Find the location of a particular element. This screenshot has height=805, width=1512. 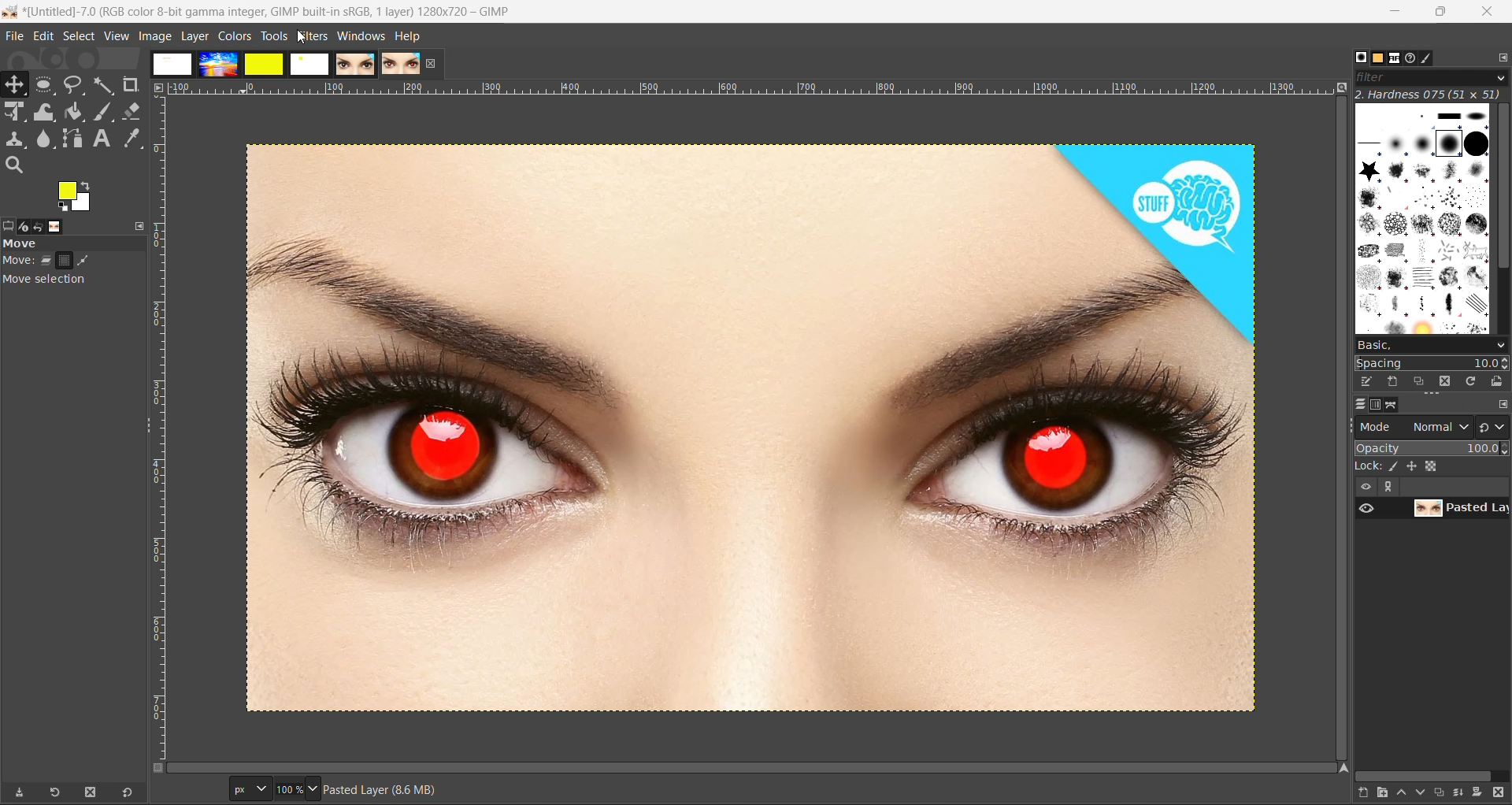

save tool preset is located at coordinates (19, 794).